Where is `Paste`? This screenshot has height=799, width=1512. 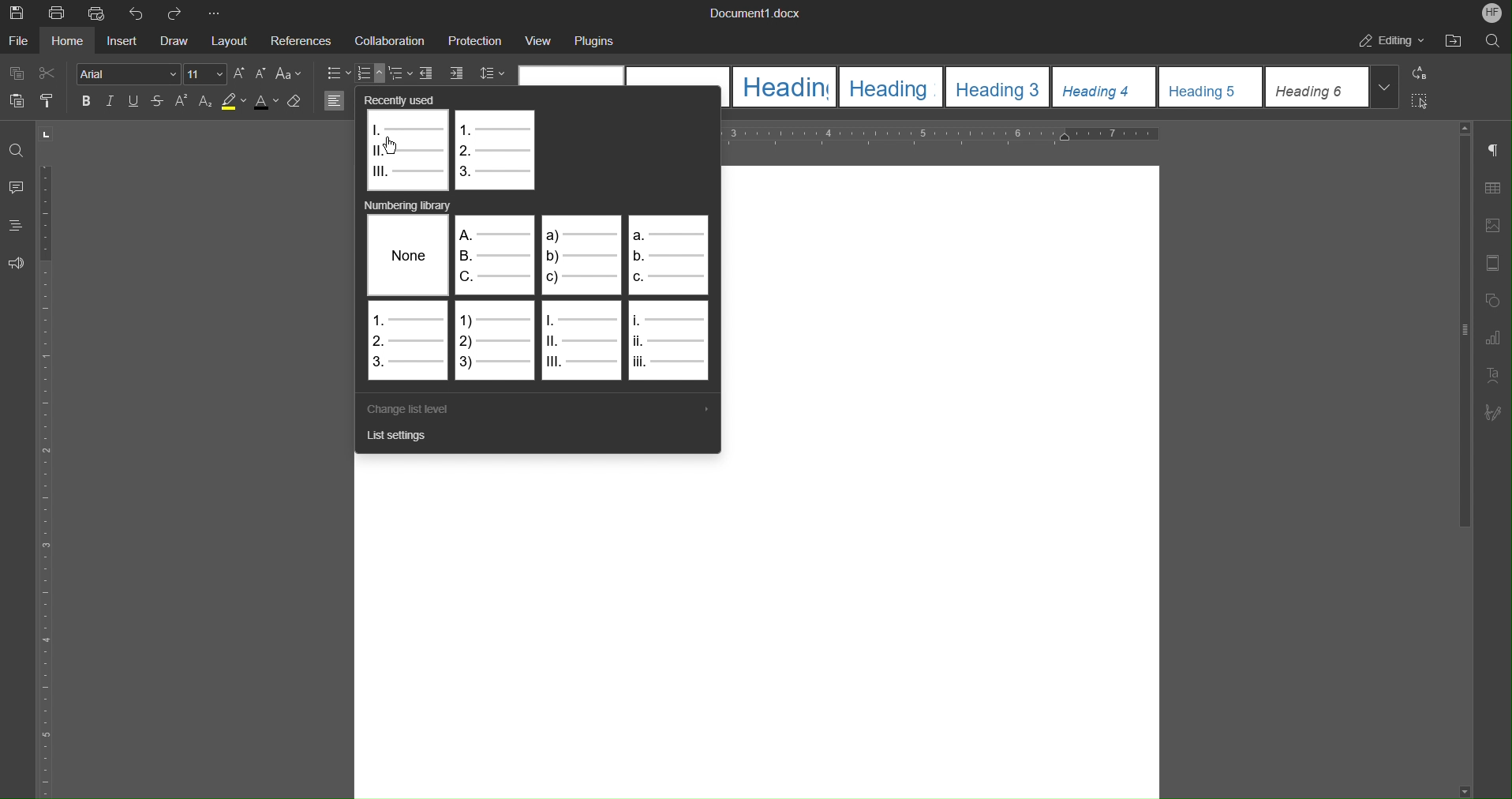 Paste is located at coordinates (15, 101).